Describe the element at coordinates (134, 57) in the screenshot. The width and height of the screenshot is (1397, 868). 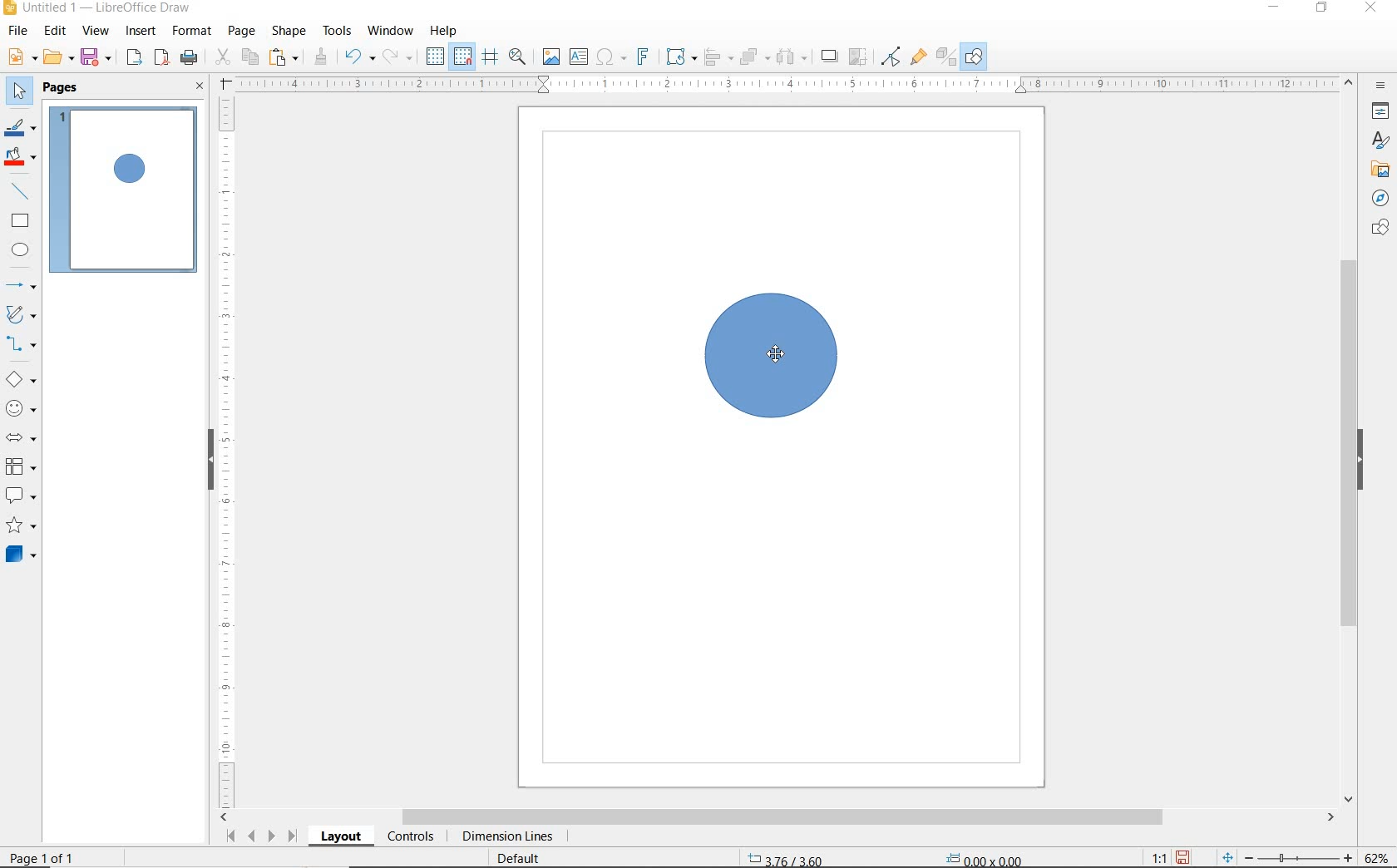
I see `EXPORT` at that location.